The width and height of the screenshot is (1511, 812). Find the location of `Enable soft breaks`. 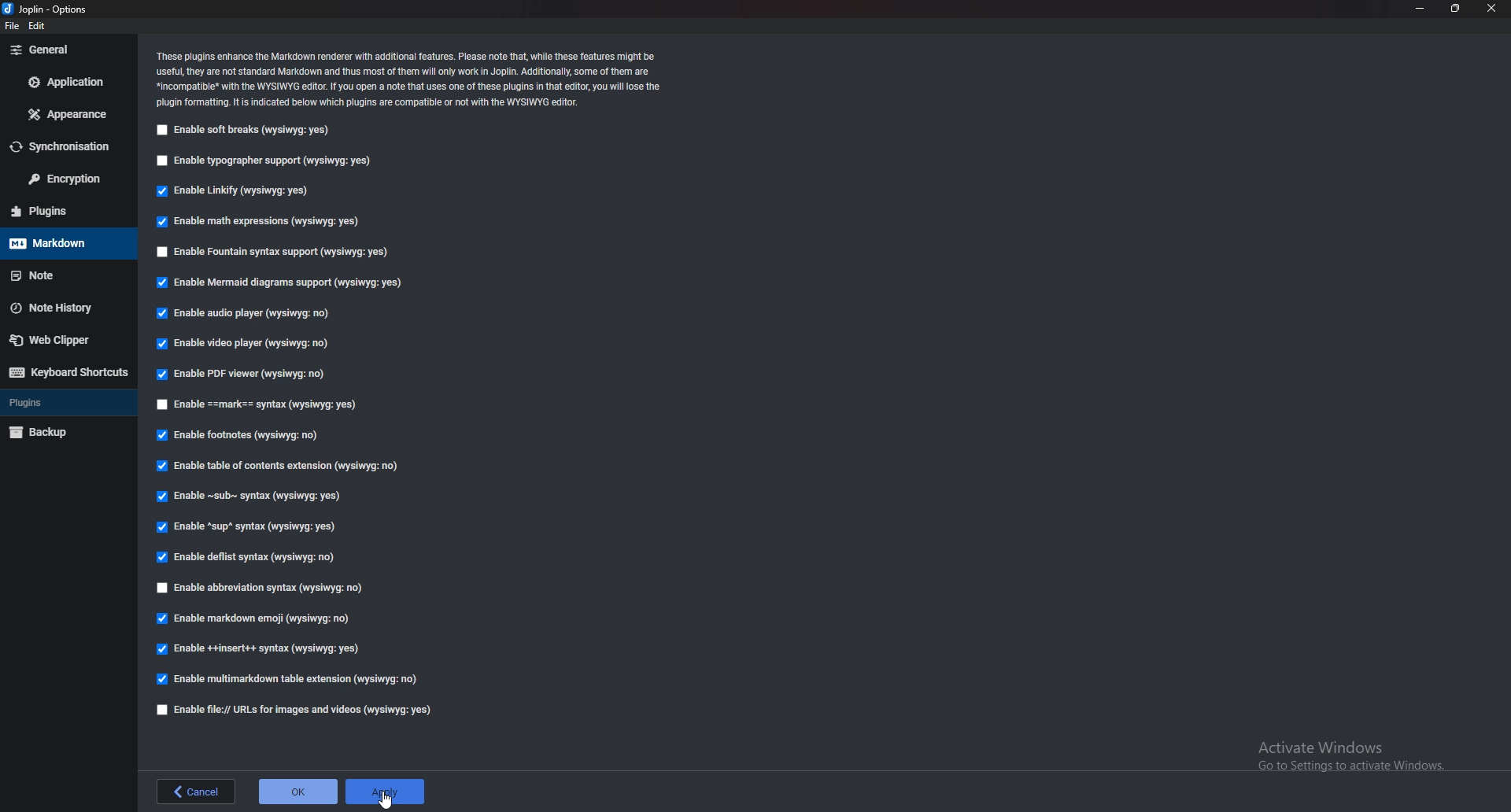

Enable soft breaks is located at coordinates (244, 132).